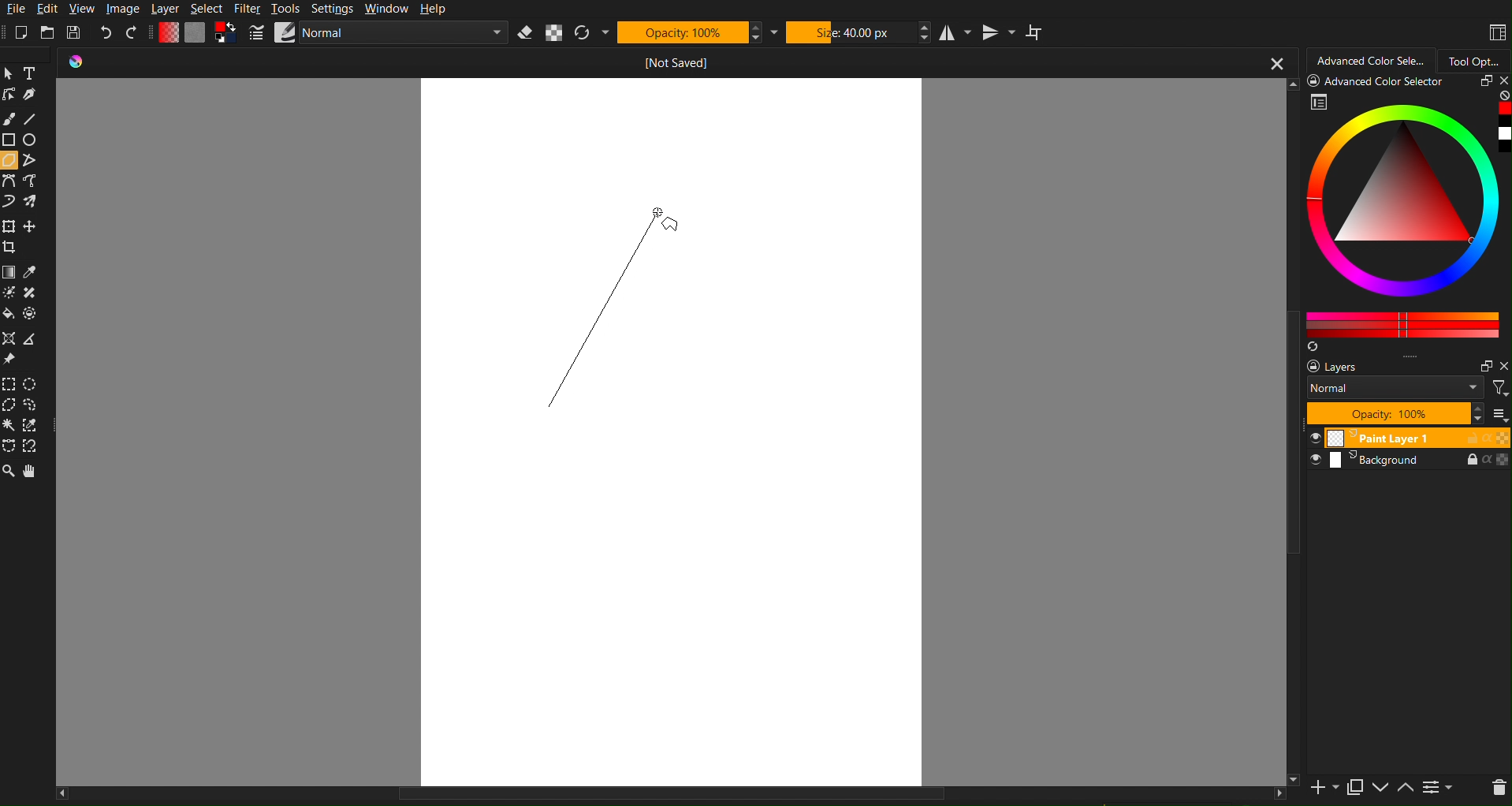 This screenshot has height=806, width=1512. Describe the element at coordinates (9, 140) in the screenshot. I see `rectangle tool` at that location.